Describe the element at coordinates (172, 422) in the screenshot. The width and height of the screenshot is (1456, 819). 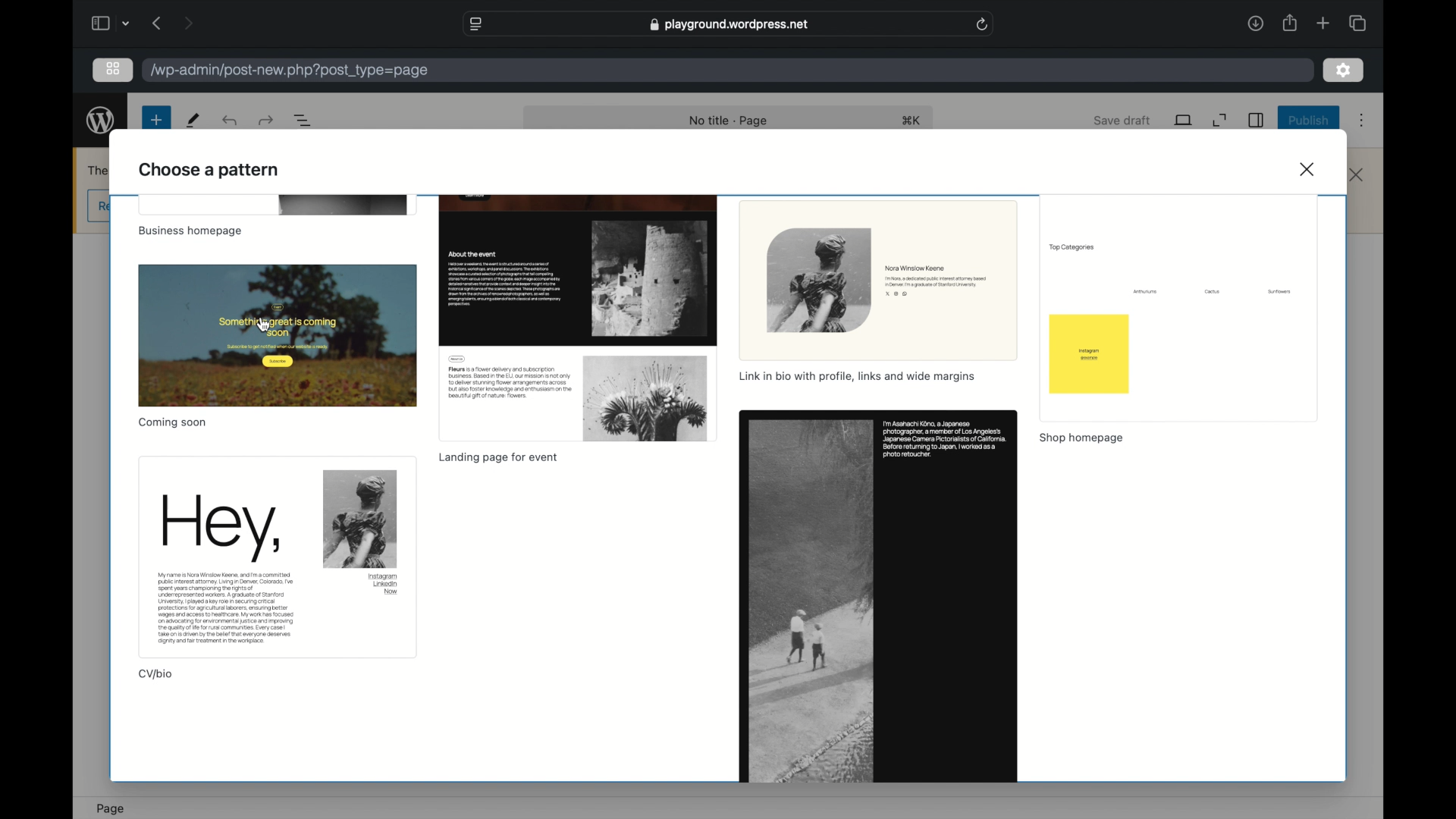
I see `coming soon` at that location.